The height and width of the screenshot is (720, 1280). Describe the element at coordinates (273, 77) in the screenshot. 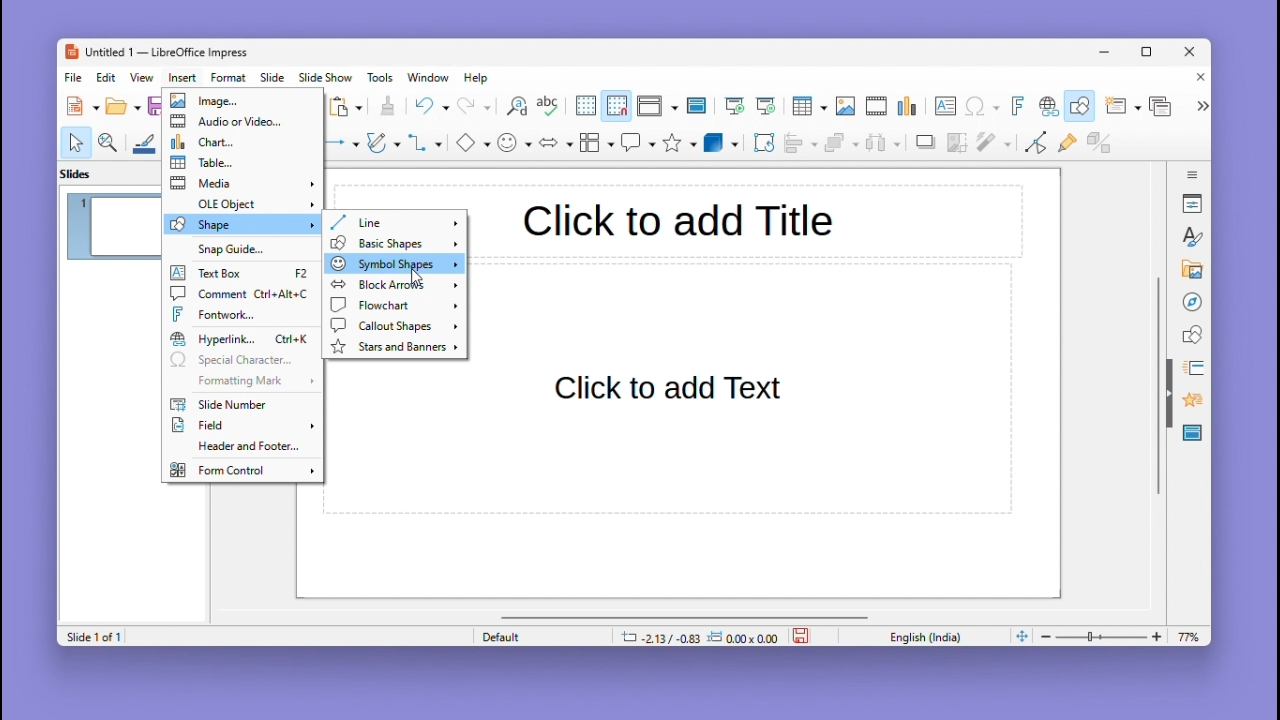

I see `Slide` at that location.